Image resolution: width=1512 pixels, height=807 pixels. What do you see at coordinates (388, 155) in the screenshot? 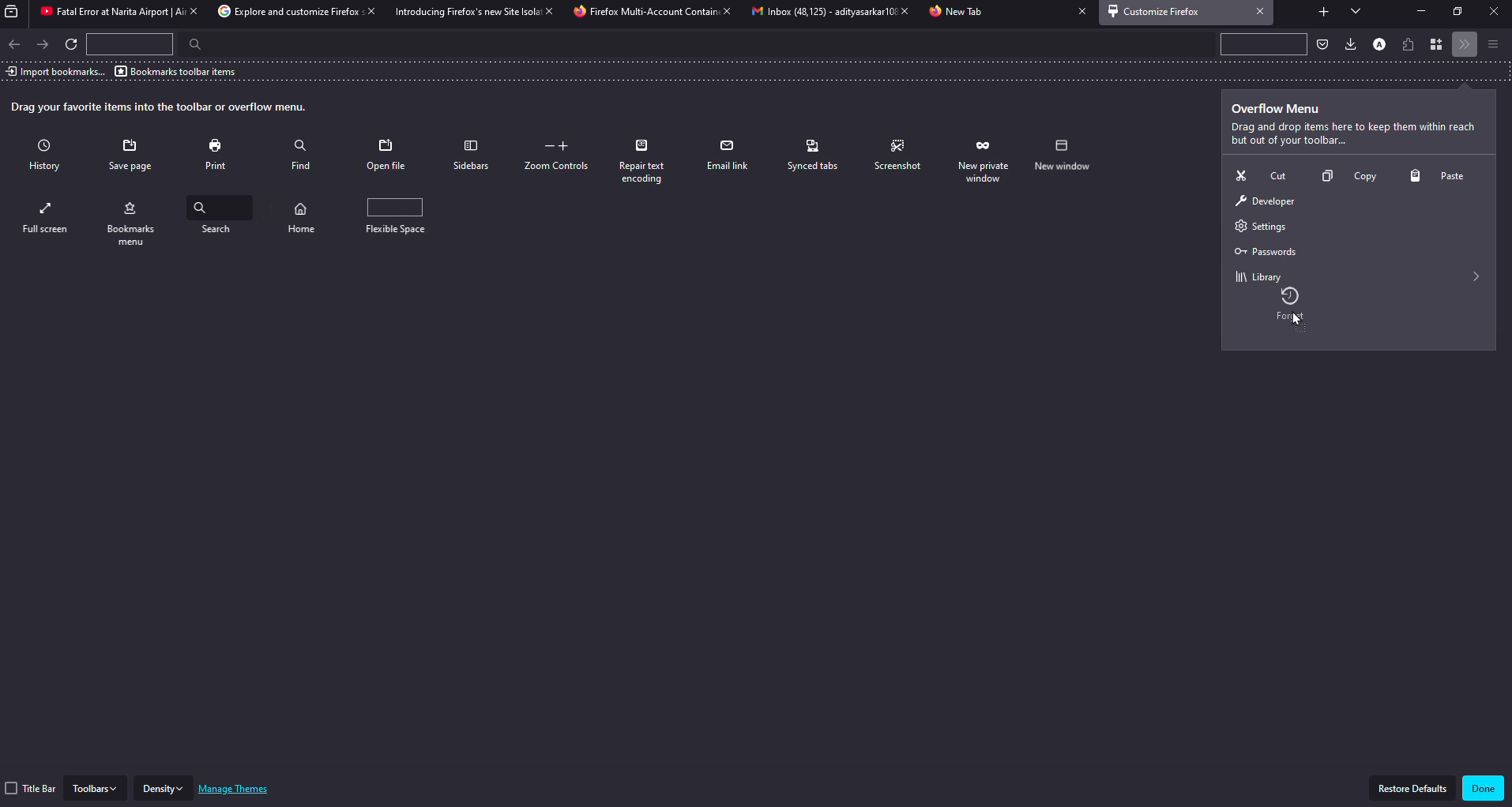
I see `open file` at bounding box center [388, 155].